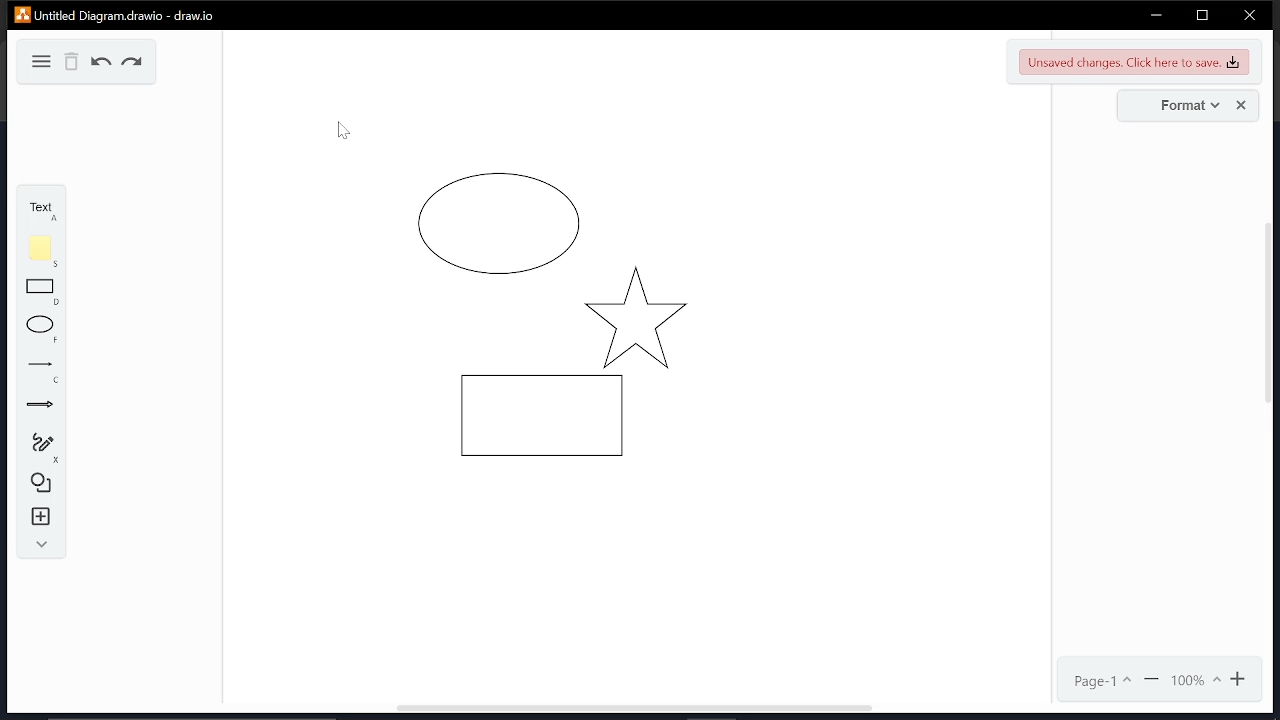 The height and width of the screenshot is (720, 1280). I want to click on arrows, so click(40, 407).